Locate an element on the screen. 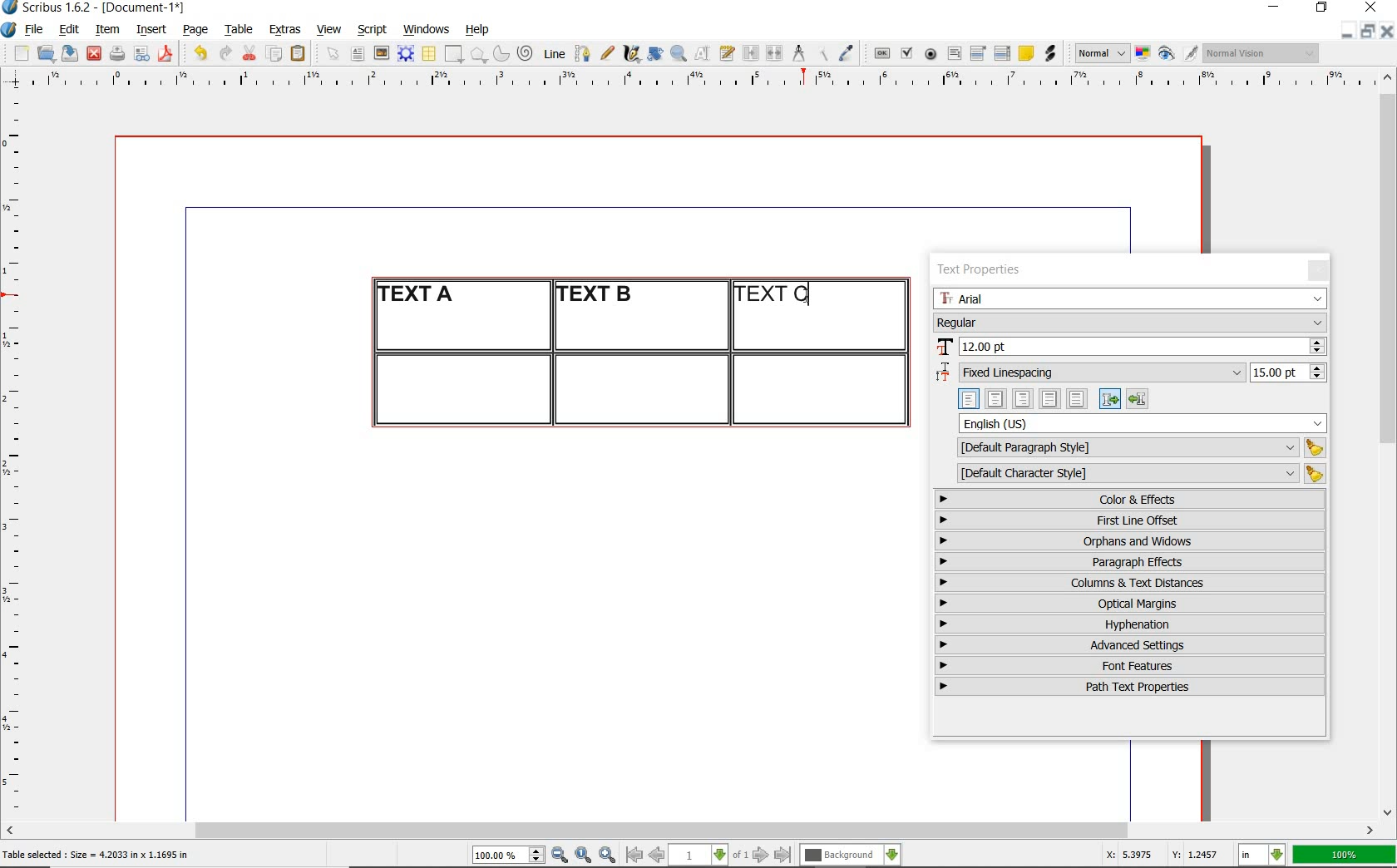  zoom out is located at coordinates (560, 856).